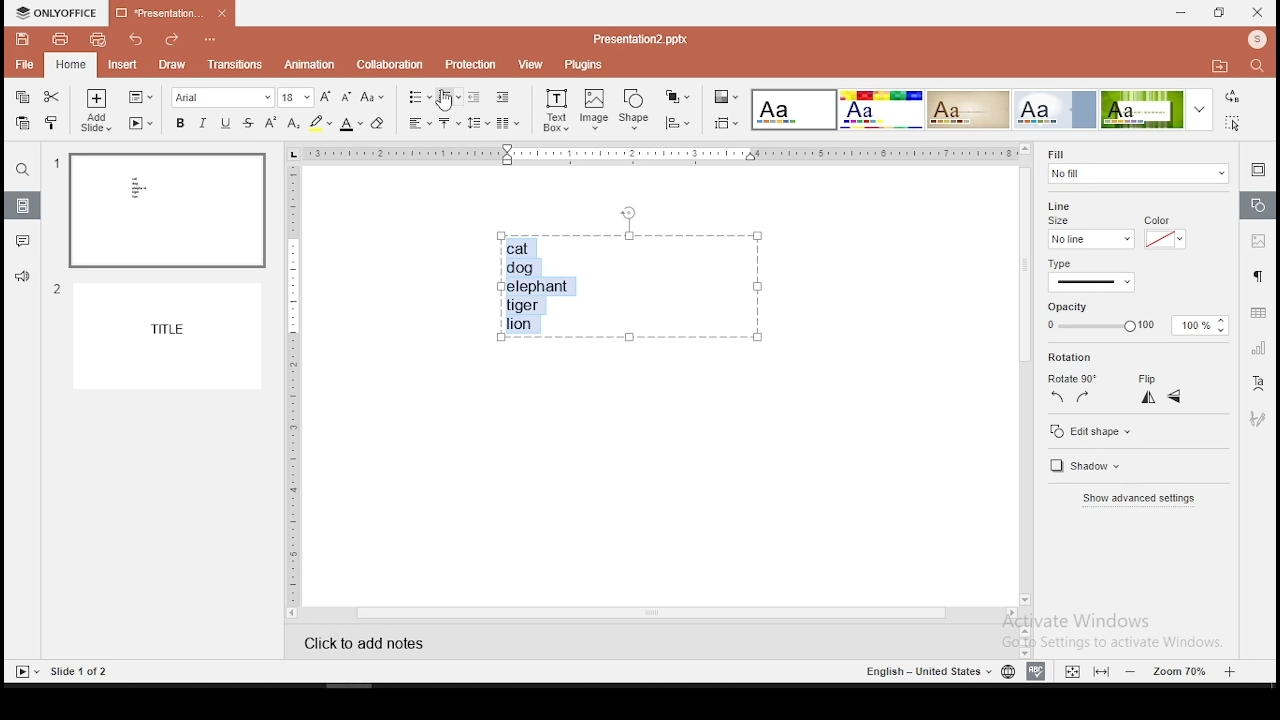 Image resolution: width=1280 pixels, height=720 pixels. I want to click on plugins, so click(584, 65).